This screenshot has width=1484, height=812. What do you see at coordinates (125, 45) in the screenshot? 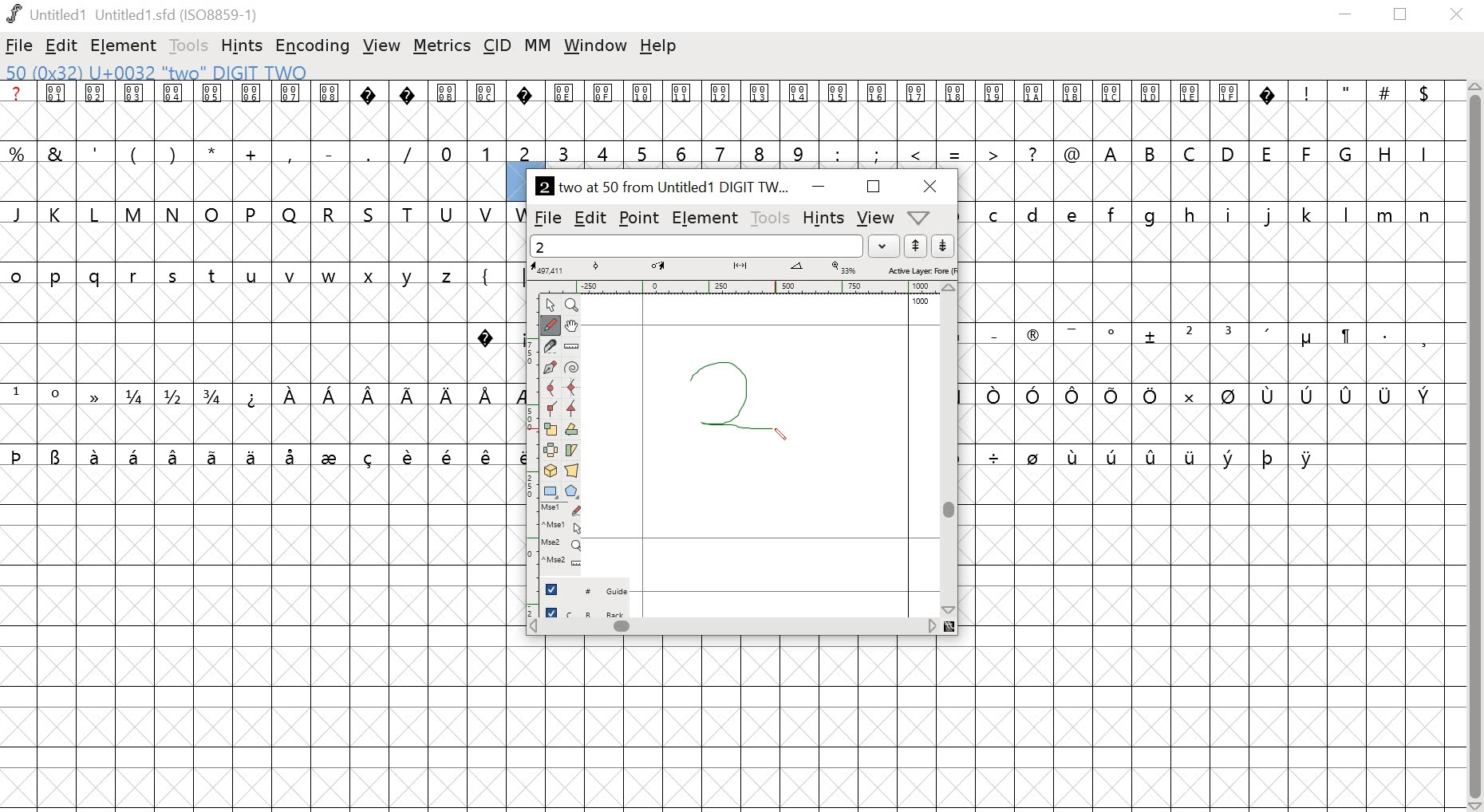
I see `element` at bounding box center [125, 45].